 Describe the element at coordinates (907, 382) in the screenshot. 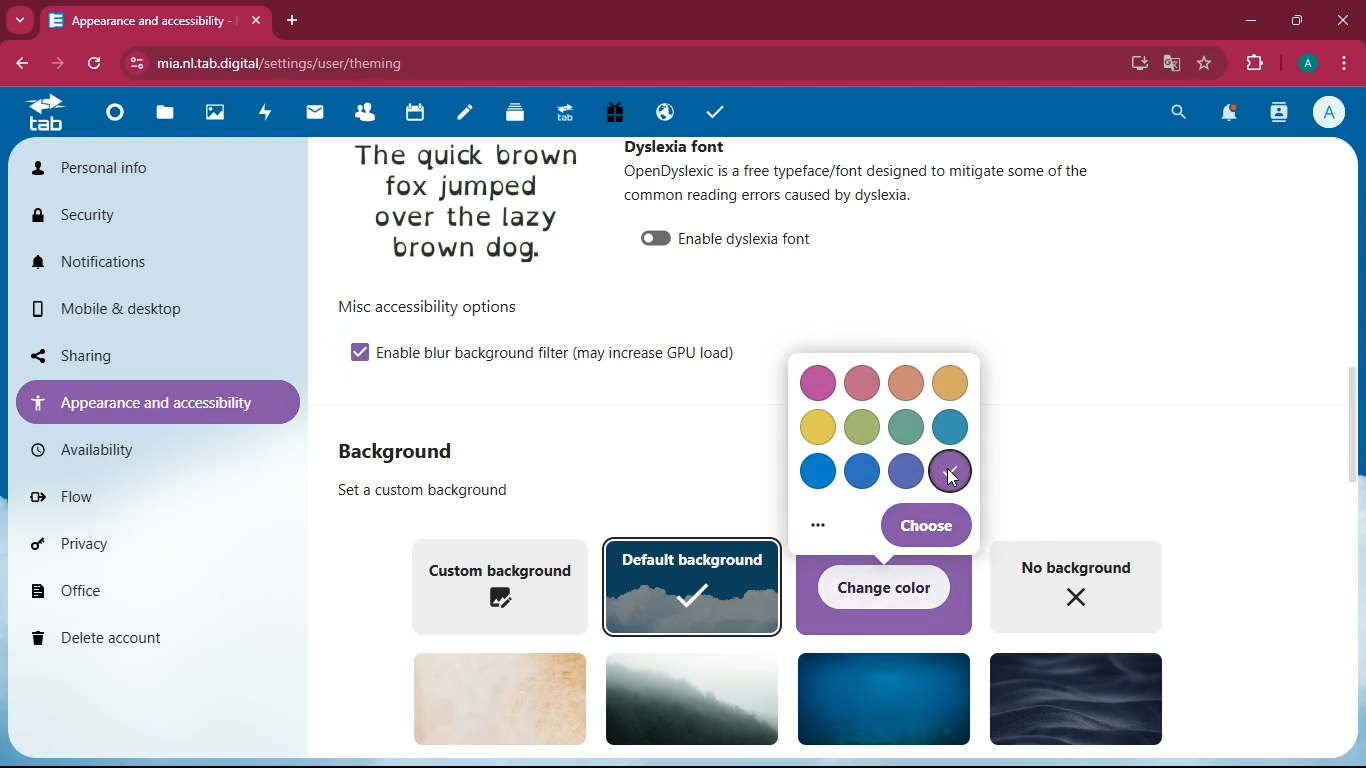

I see `color` at that location.